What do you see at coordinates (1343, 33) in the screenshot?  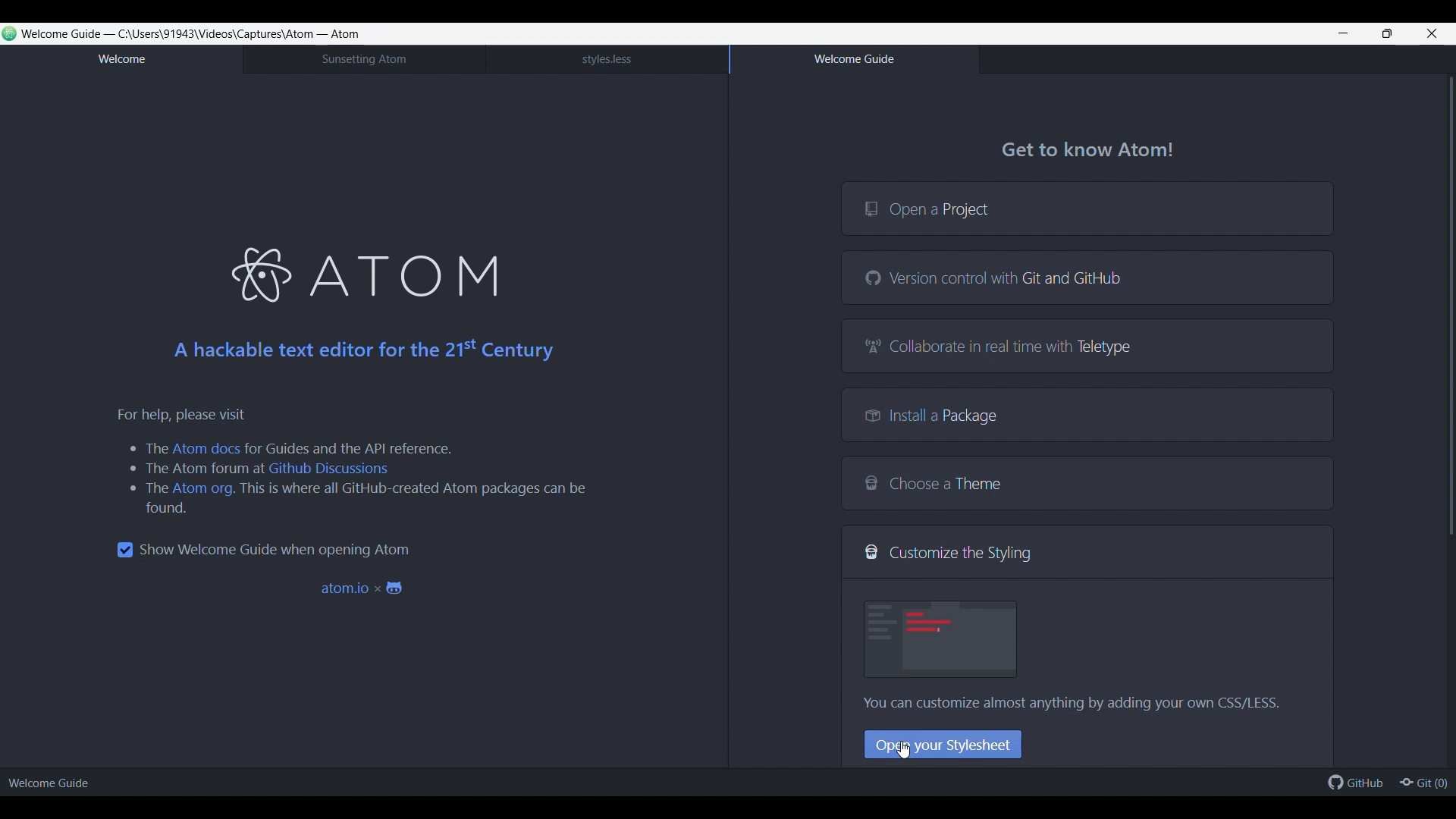 I see `Minimize` at bounding box center [1343, 33].